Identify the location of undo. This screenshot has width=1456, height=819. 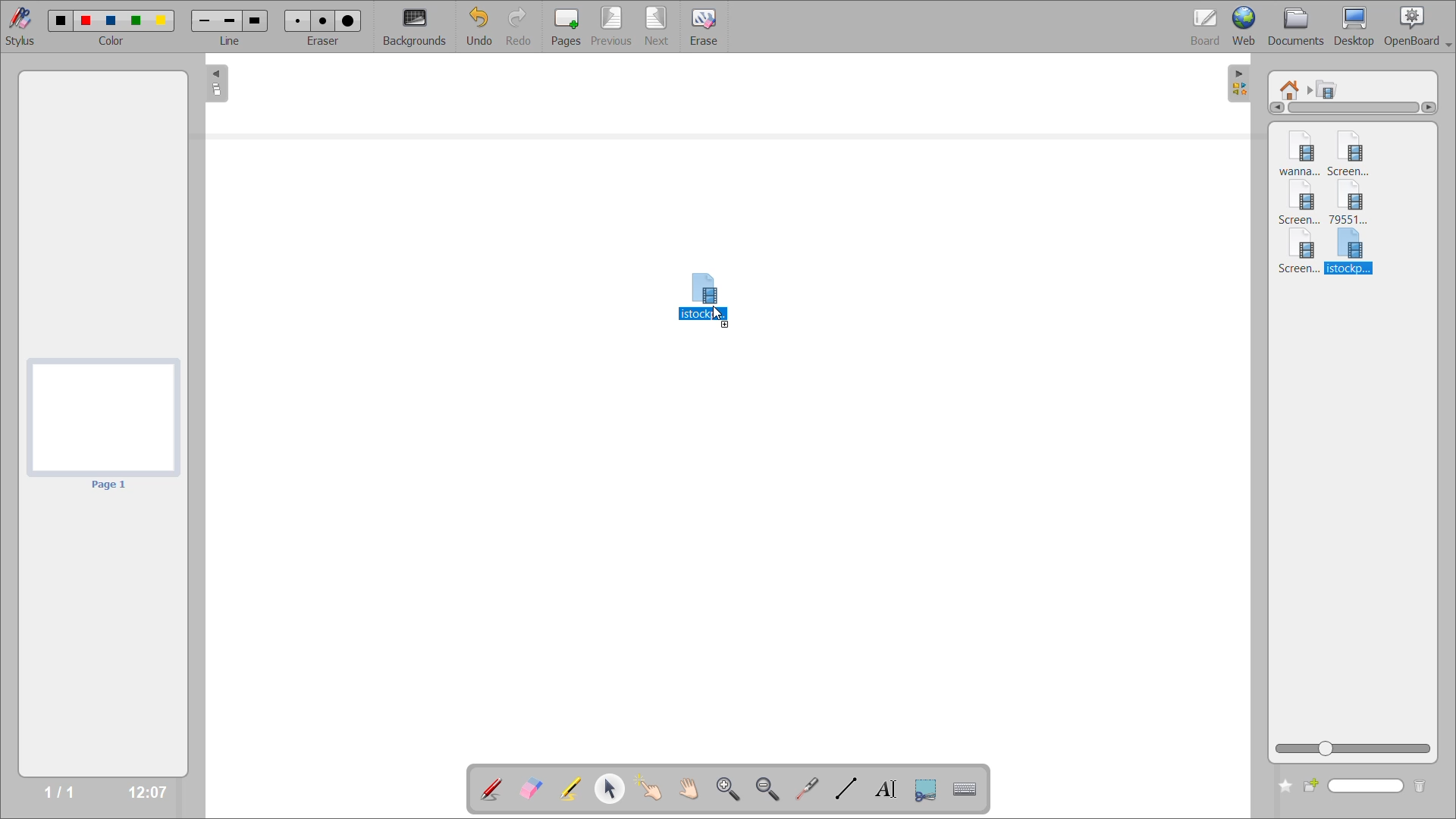
(479, 27).